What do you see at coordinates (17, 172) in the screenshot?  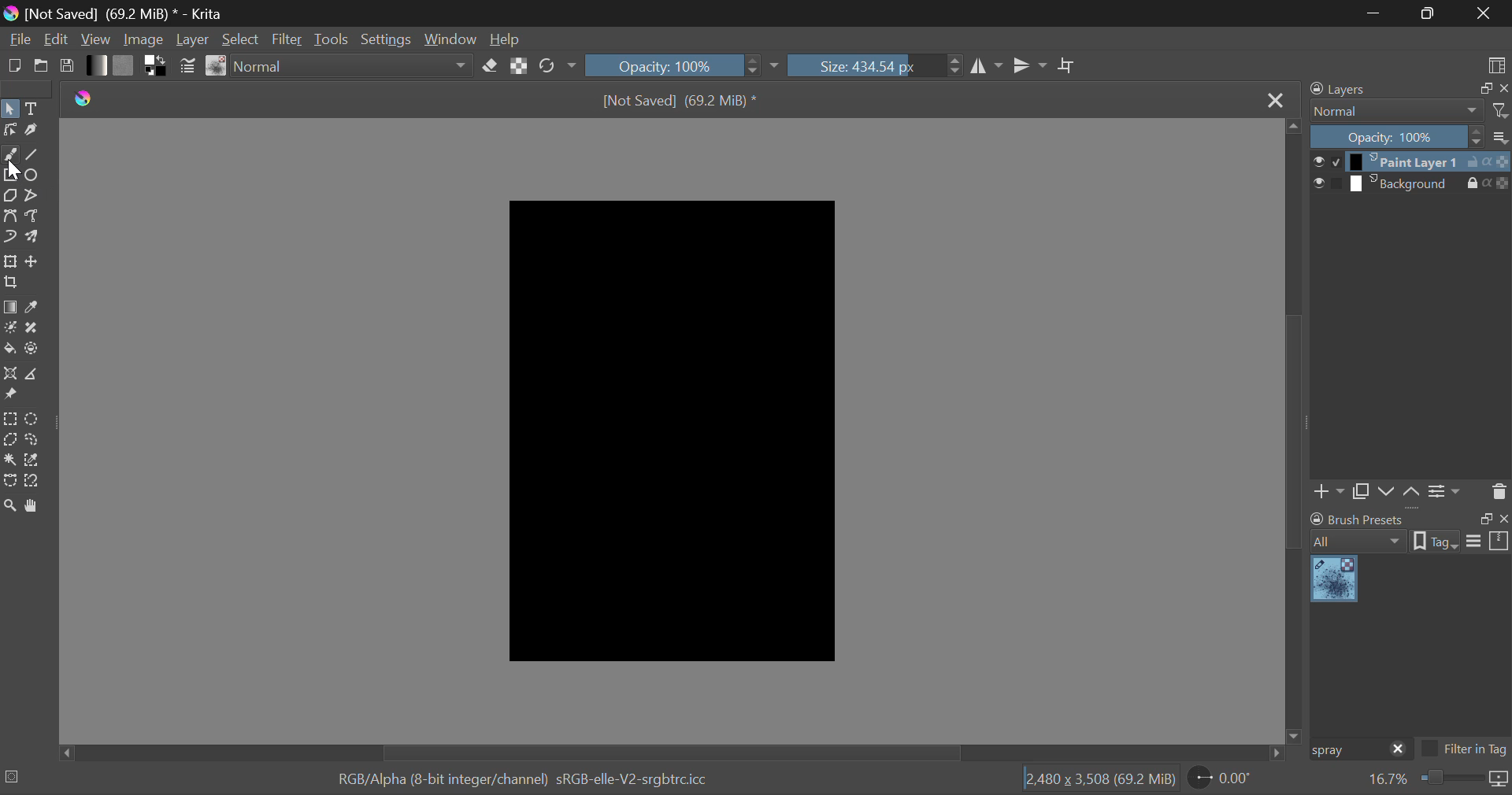 I see `cursor` at bounding box center [17, 172].